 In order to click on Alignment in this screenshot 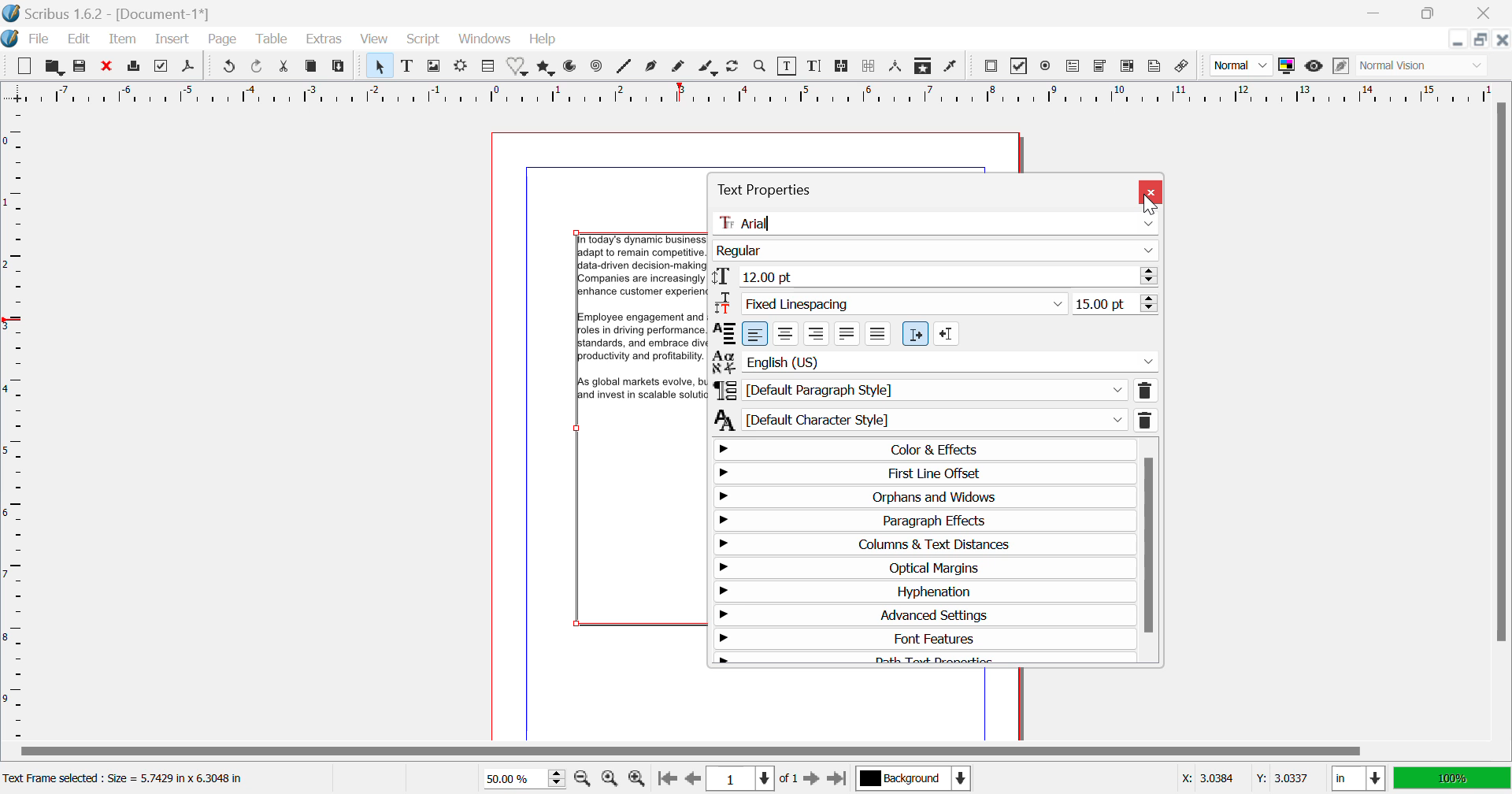, I will do `click(724, 336)`.